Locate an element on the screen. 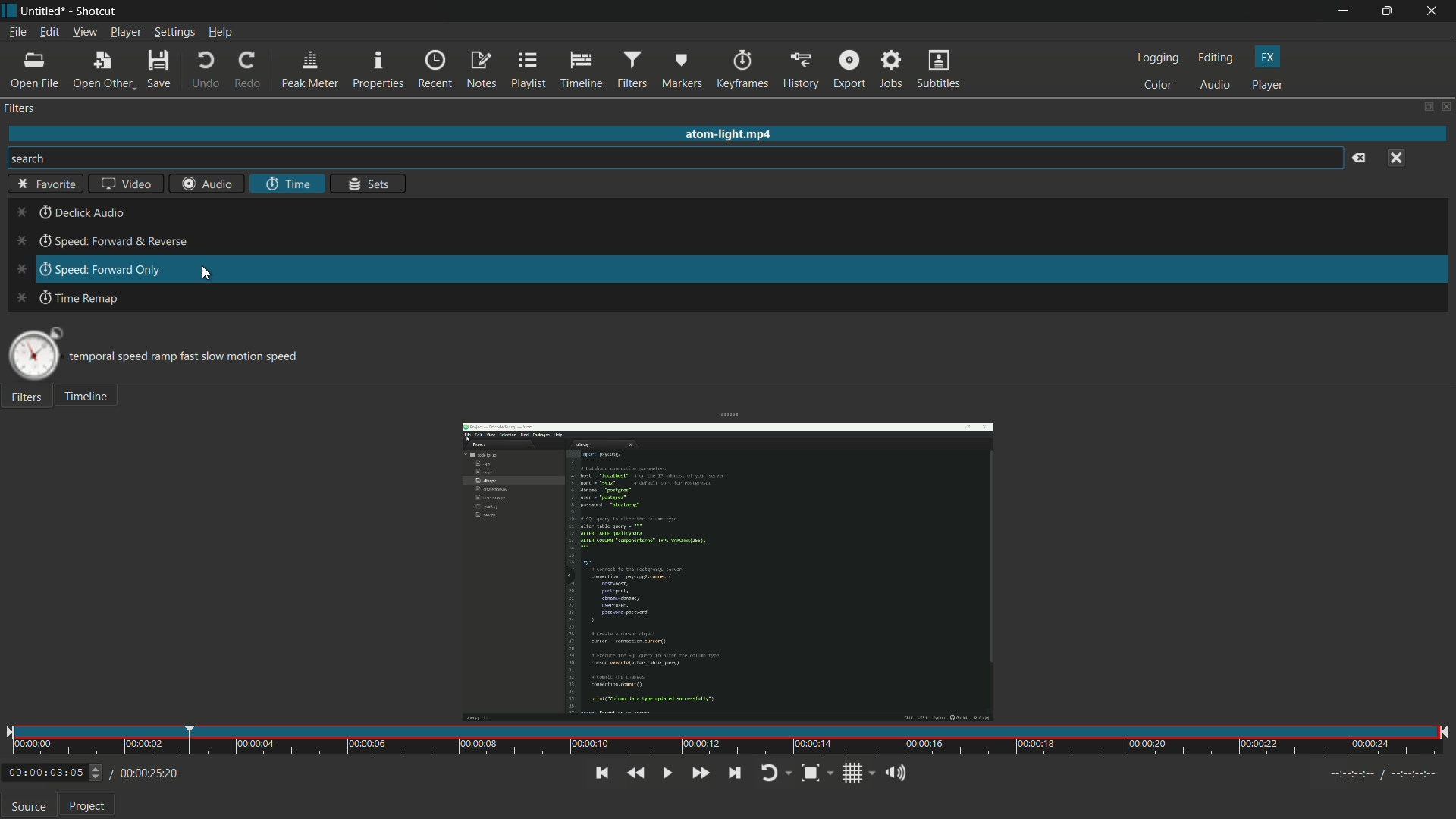  jobs is located at coordinates (893, 70).